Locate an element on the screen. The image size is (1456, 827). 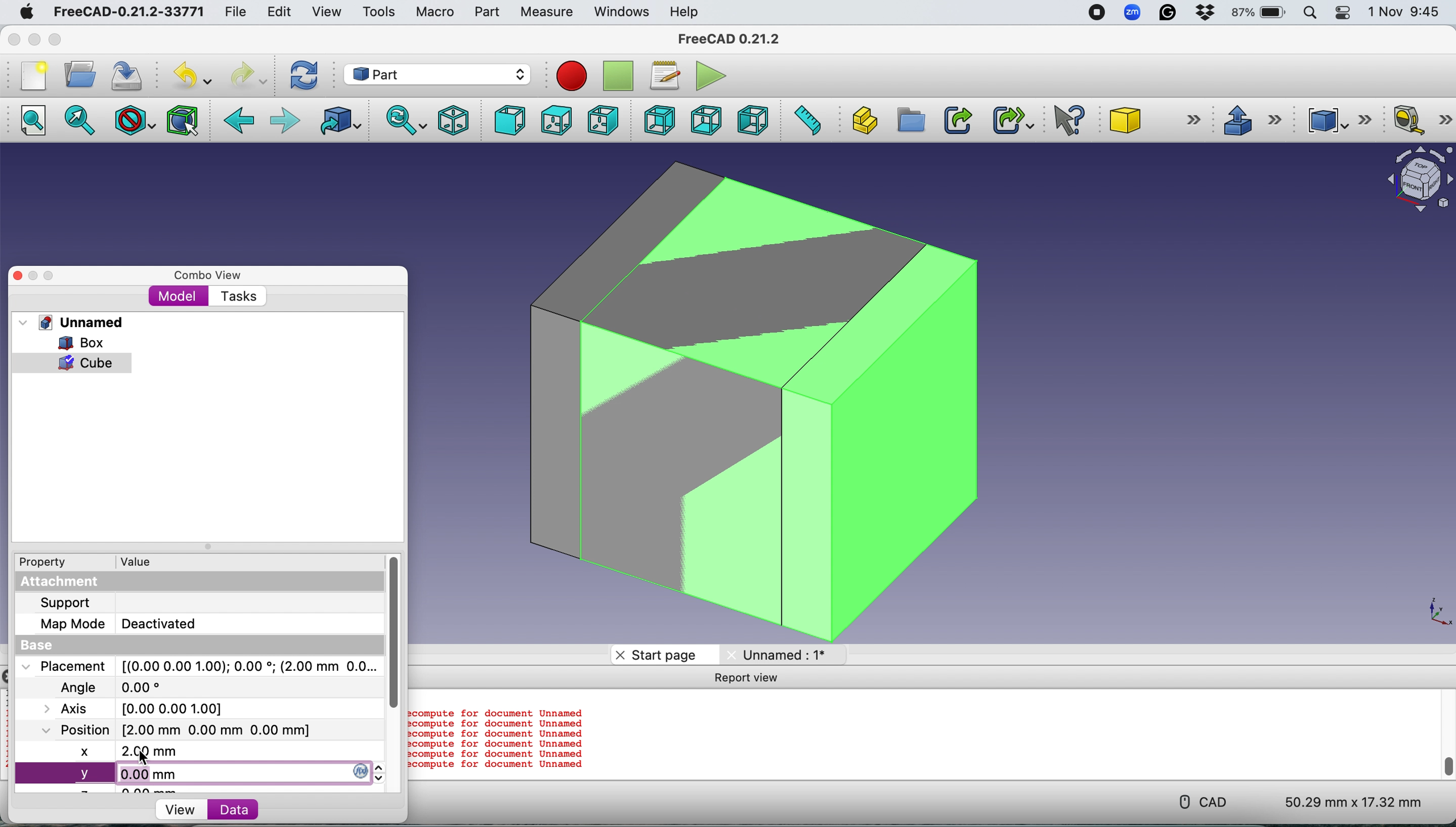
Redo is located at coordinates (247, 76).